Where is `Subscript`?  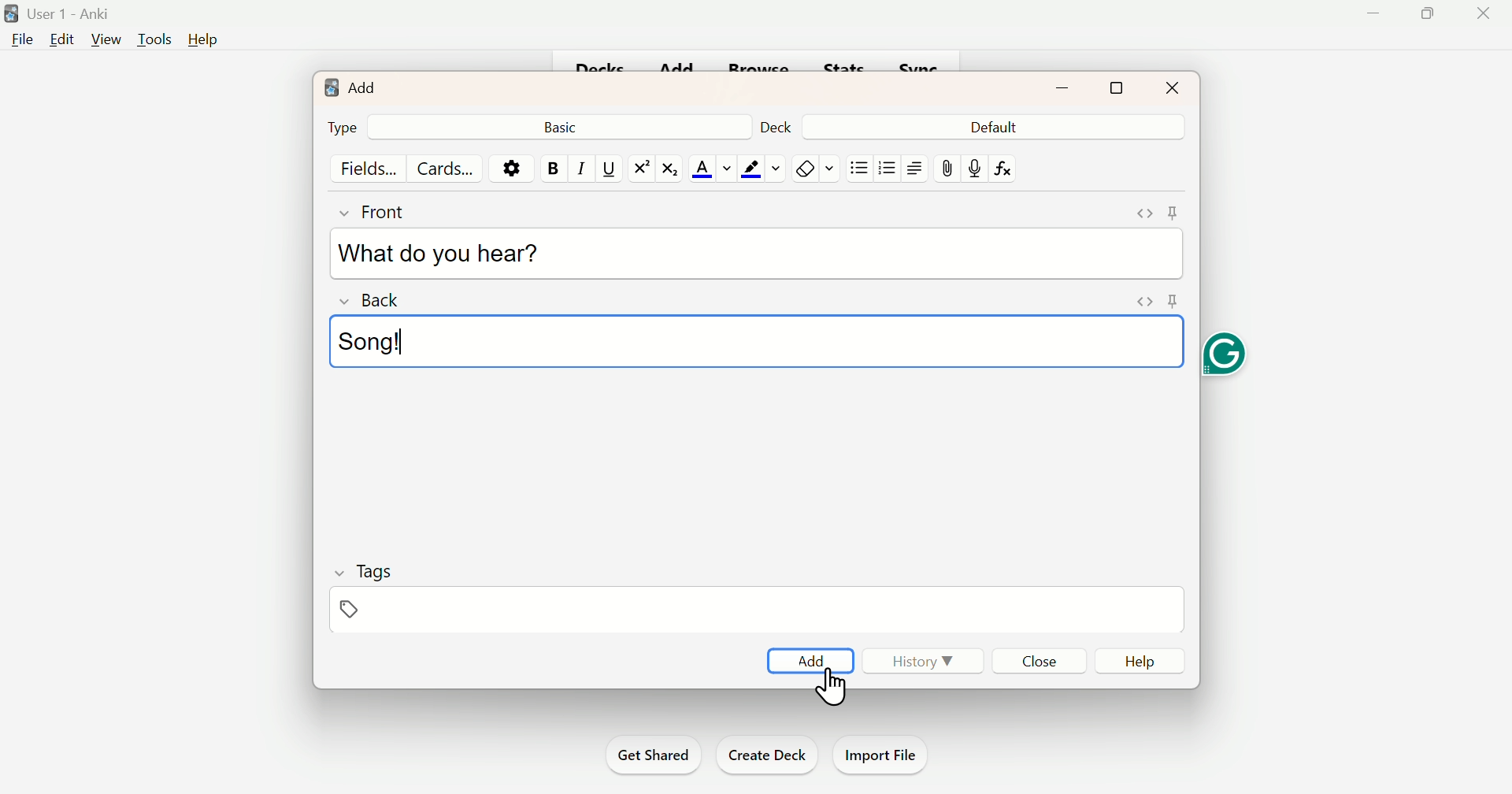
Subscript is located at coordinates (669, 169).